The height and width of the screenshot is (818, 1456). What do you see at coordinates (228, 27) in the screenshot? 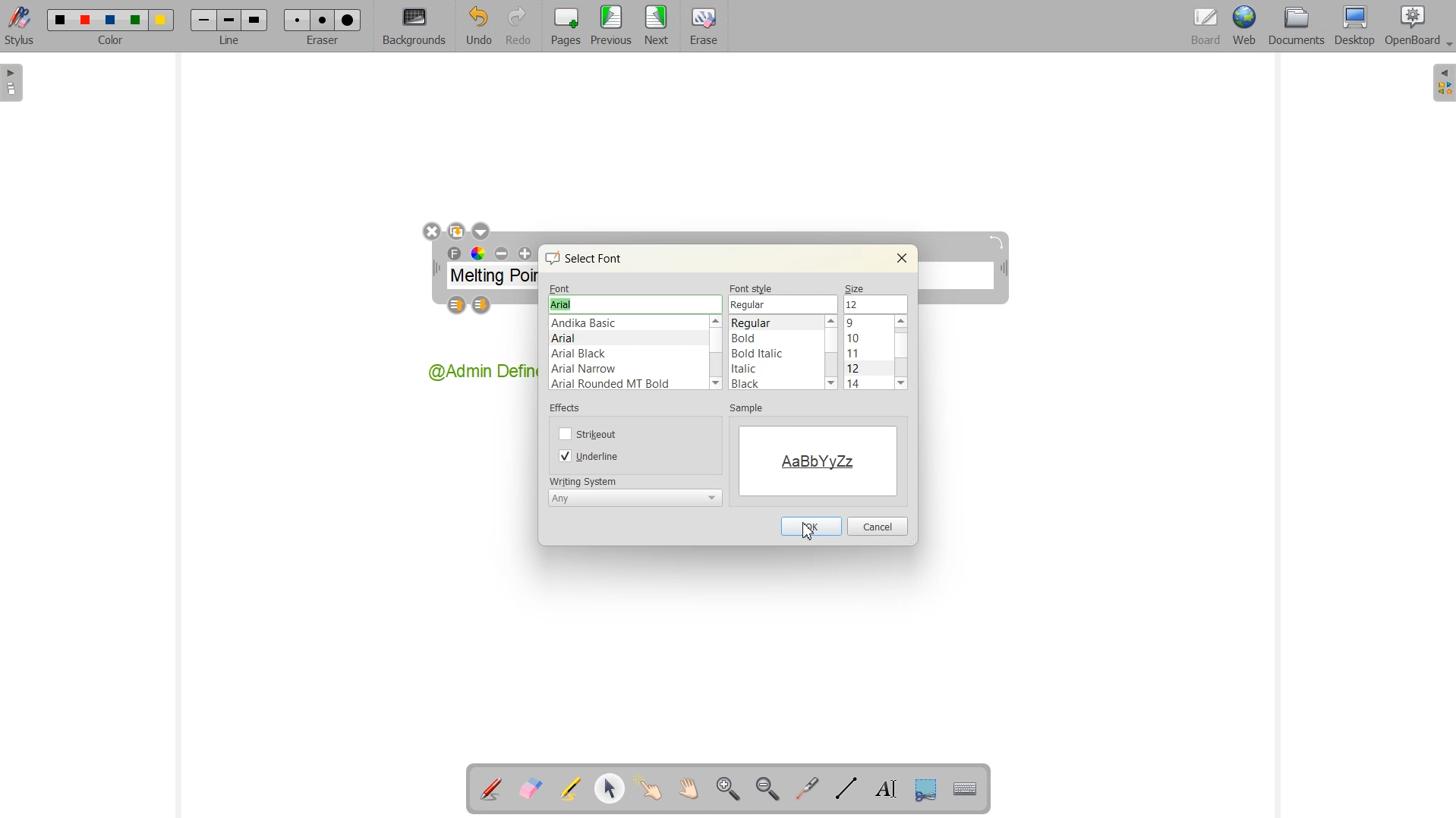
I see `Line` at bounding box center [228, 27].